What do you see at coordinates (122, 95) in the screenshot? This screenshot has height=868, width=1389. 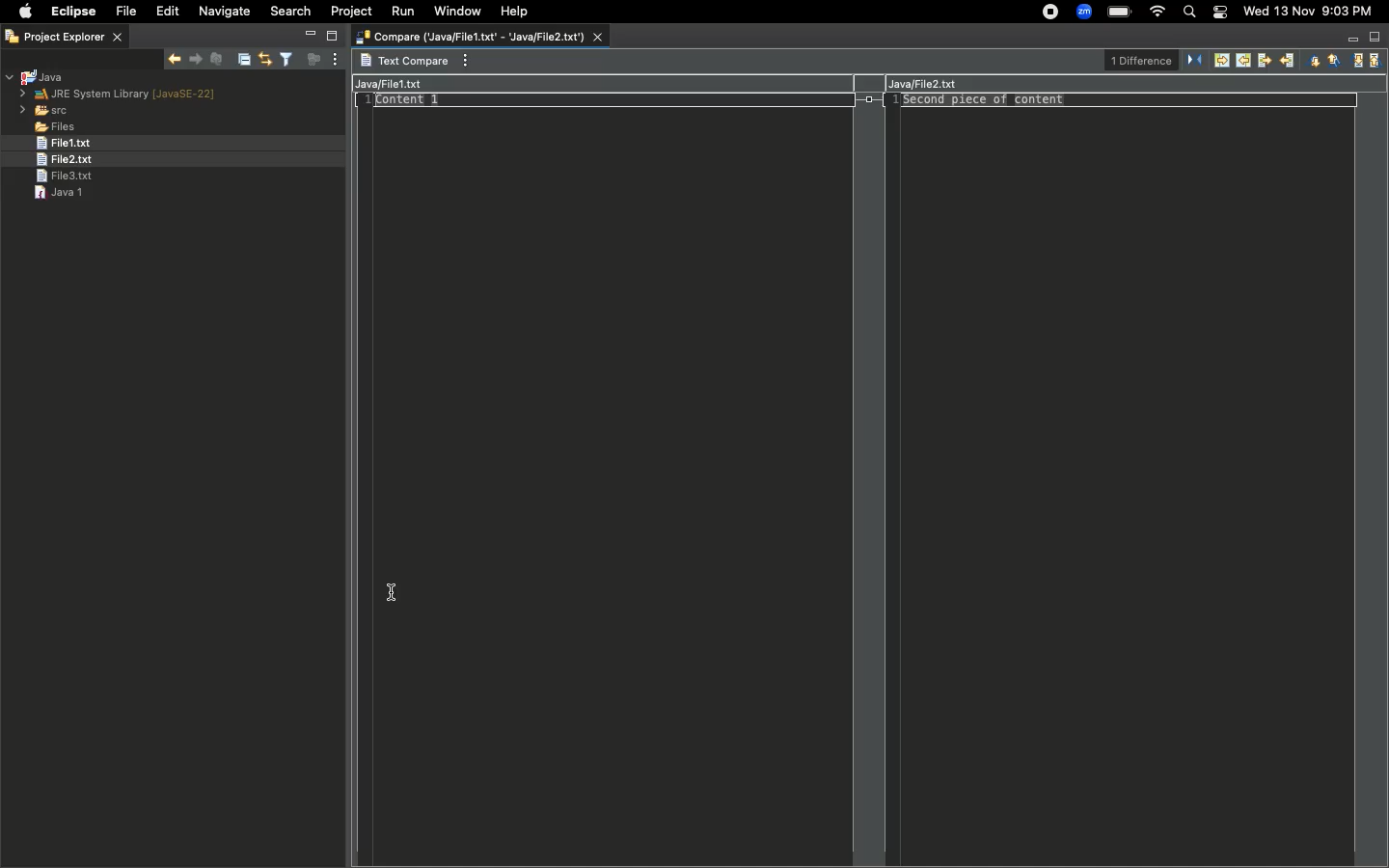 I see `JRE system library` at bounding box center [122, 95].